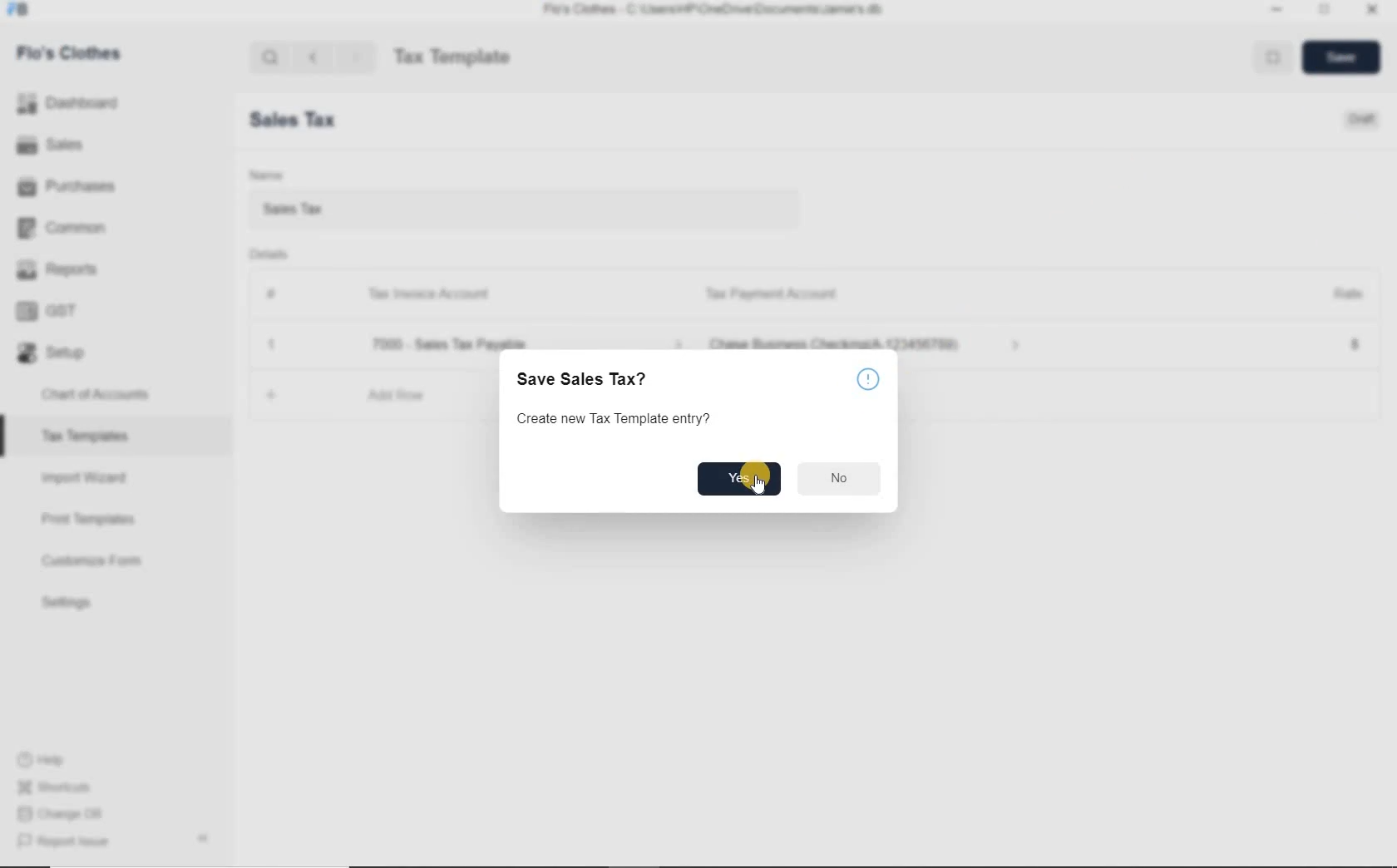 The height and width of the screenshot is (868, 1397). Describe the element at coordinates (870, 380) in the screenshot. I see `Help` at that location.